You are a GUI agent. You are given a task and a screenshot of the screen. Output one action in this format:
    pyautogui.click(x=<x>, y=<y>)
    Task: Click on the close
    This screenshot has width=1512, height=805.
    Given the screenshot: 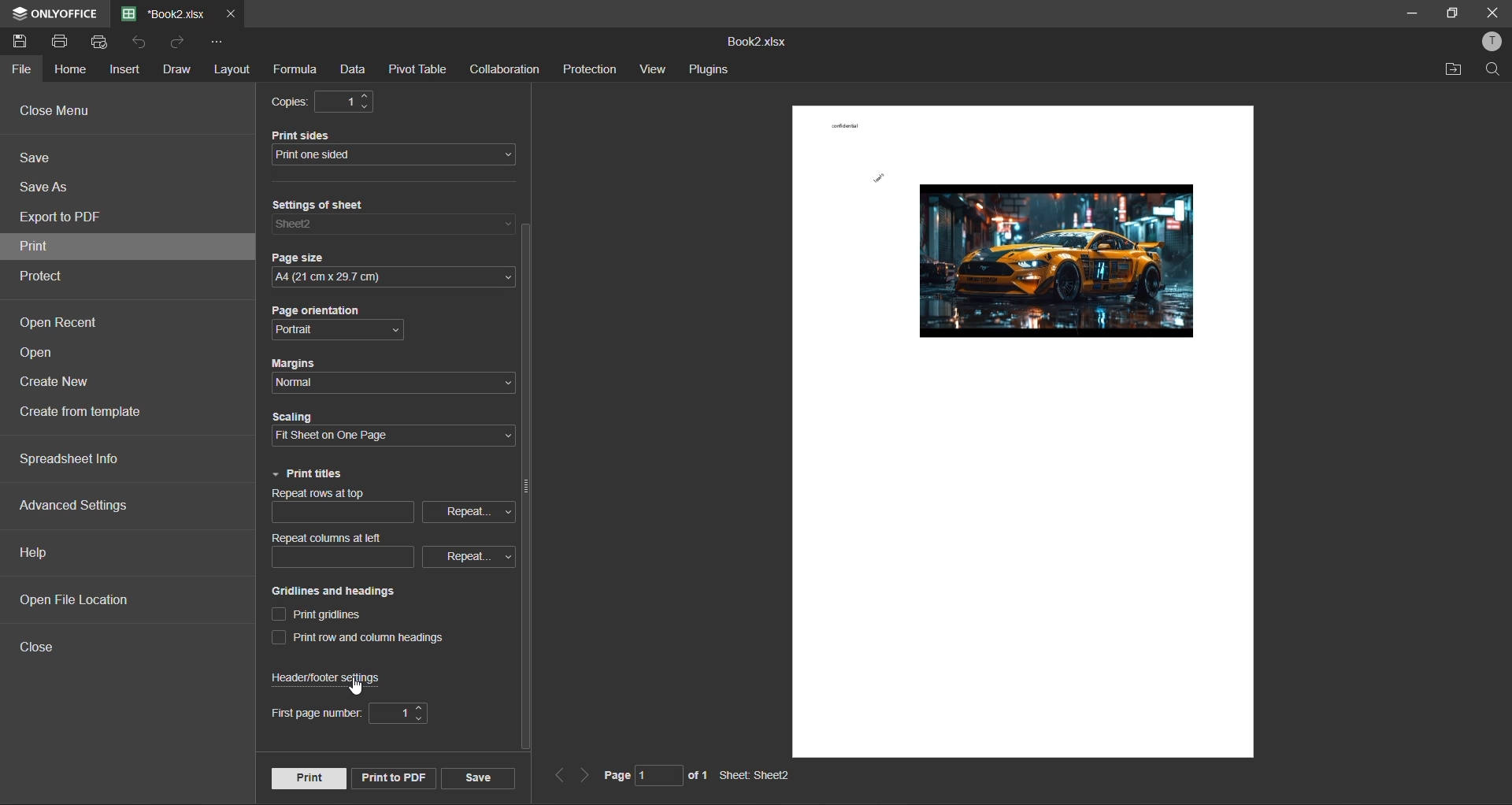 What is the action you would take?
    pyautogui.click(x=1492, y=11)
    